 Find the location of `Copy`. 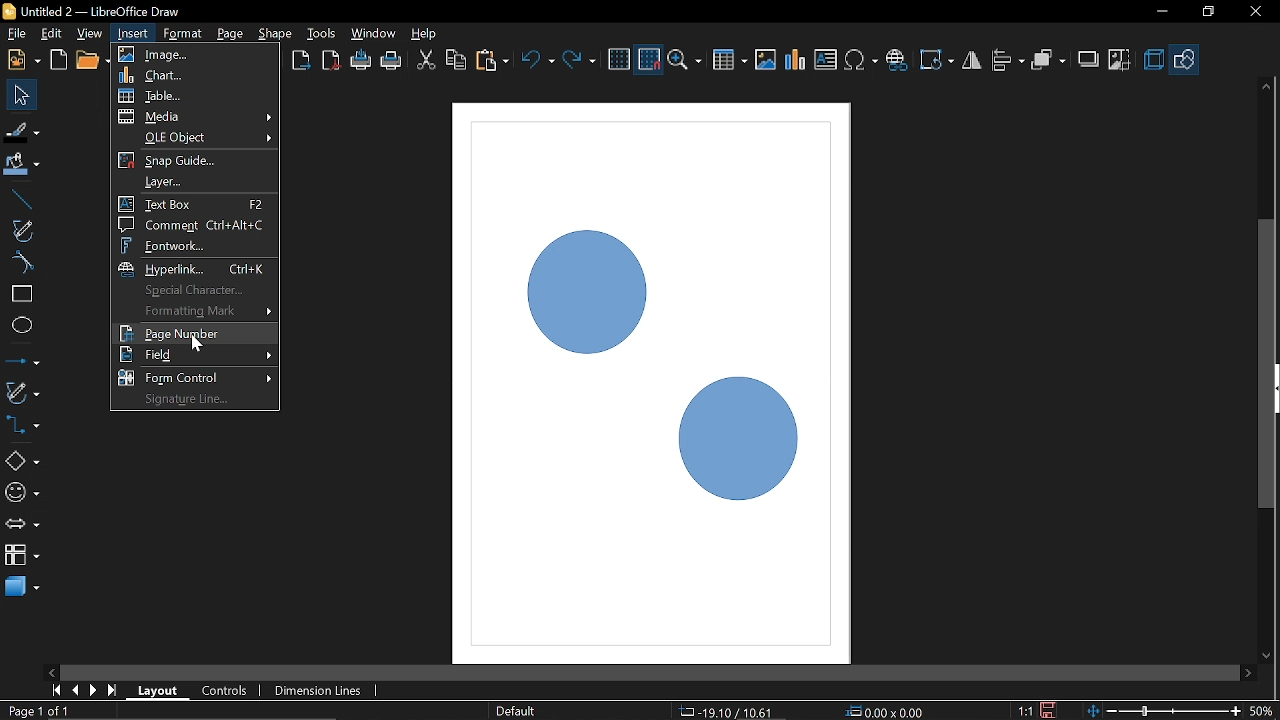

Copy is located at coordinates (456, 63).